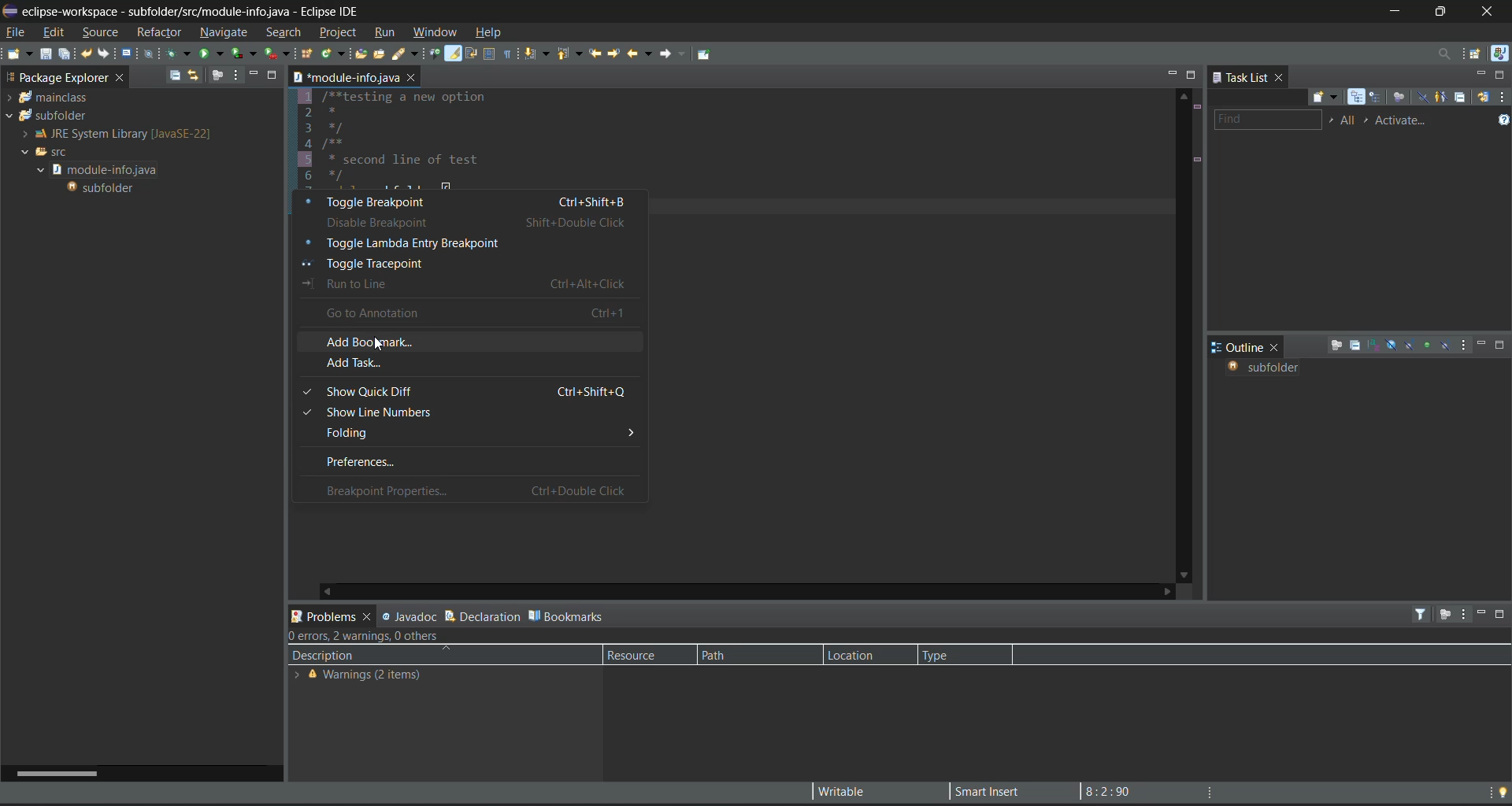  What do you see at coordinates (1503, 122) in the screenshot?
I see `show tasks UI legend` at bounding box center [1503, 122].